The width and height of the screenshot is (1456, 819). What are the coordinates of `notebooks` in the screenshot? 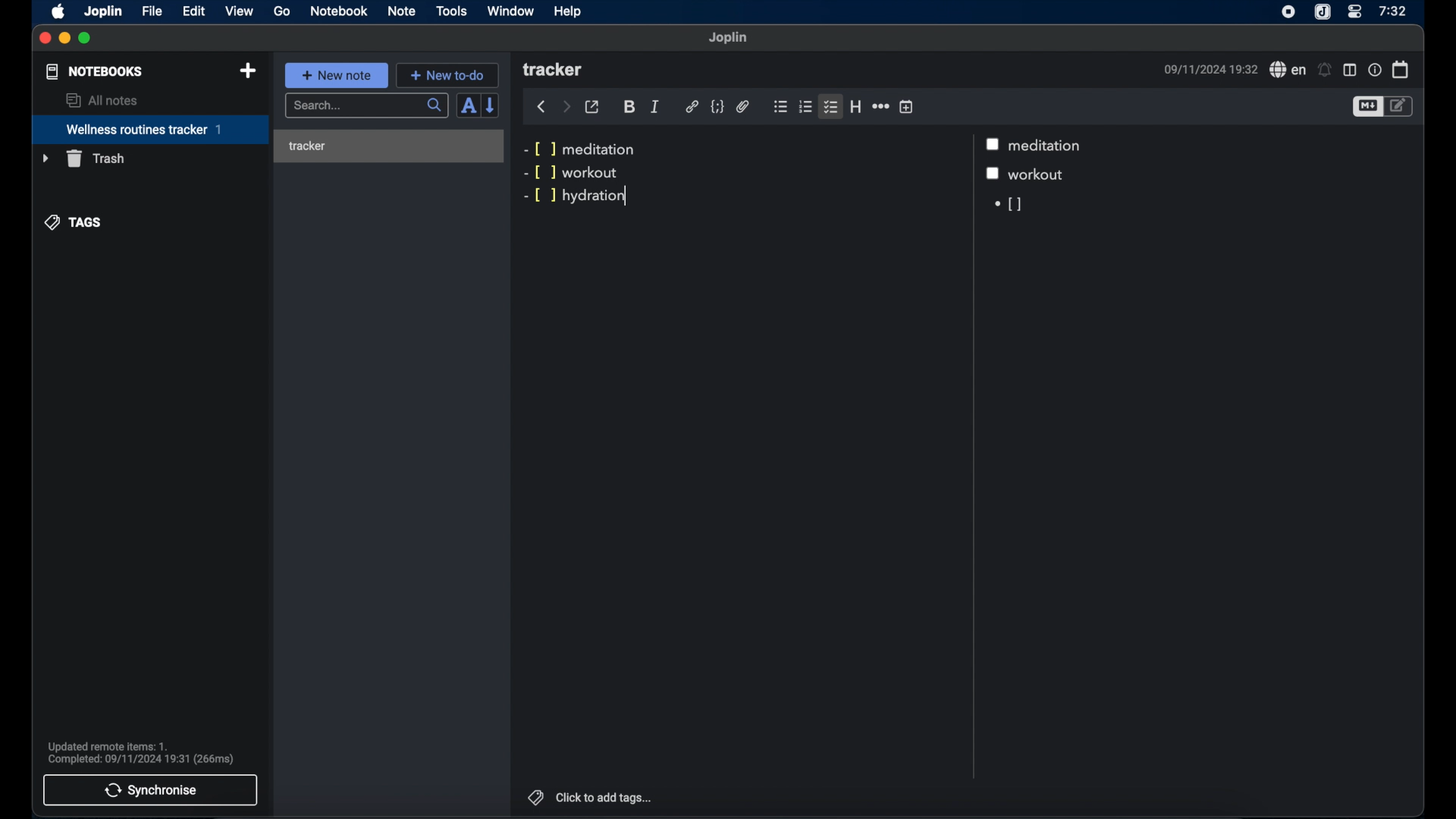 It's located at (95, 71).